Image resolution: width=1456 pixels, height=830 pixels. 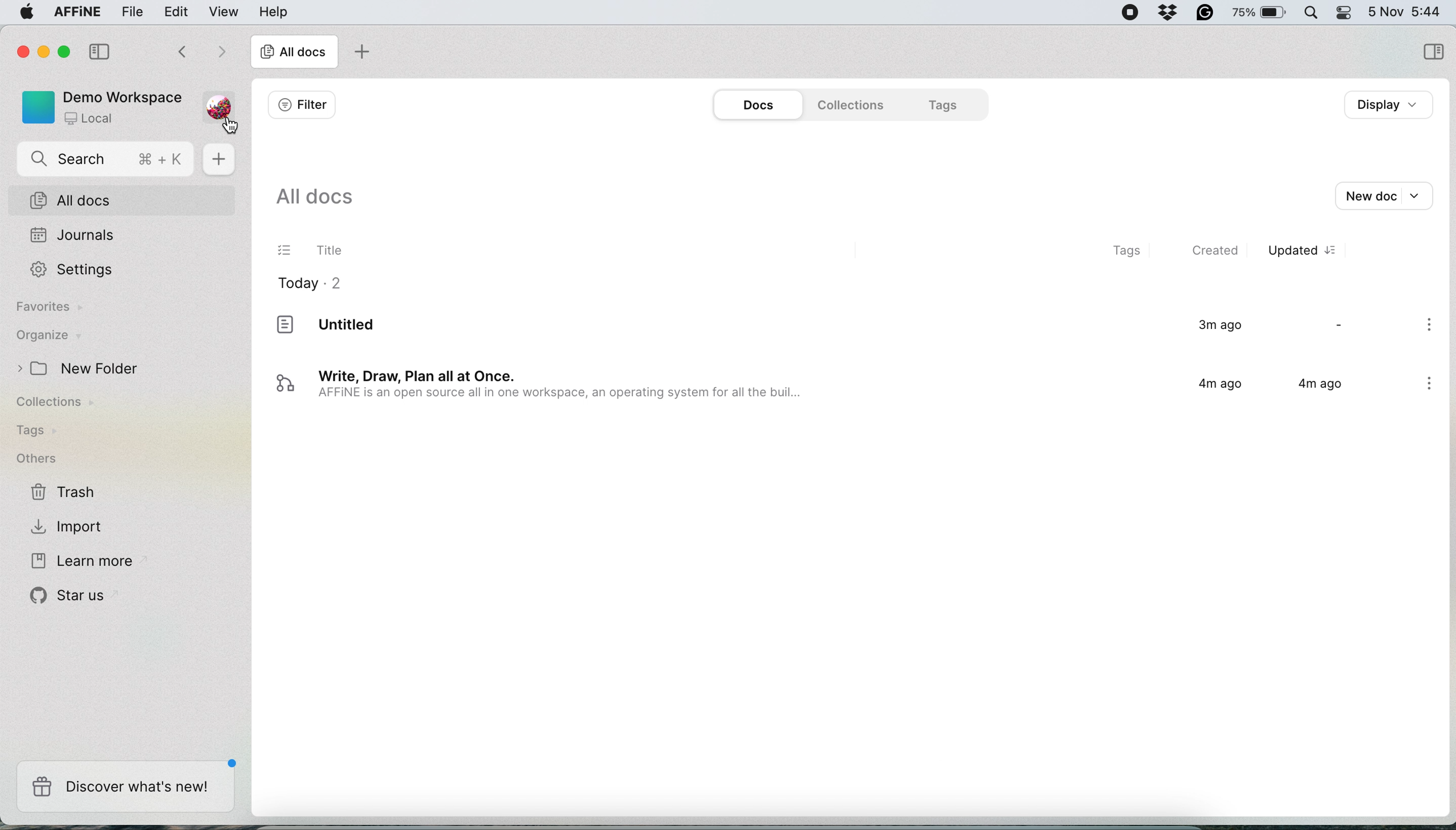 I want to click on grammarly, so click(x=1166, y=11).